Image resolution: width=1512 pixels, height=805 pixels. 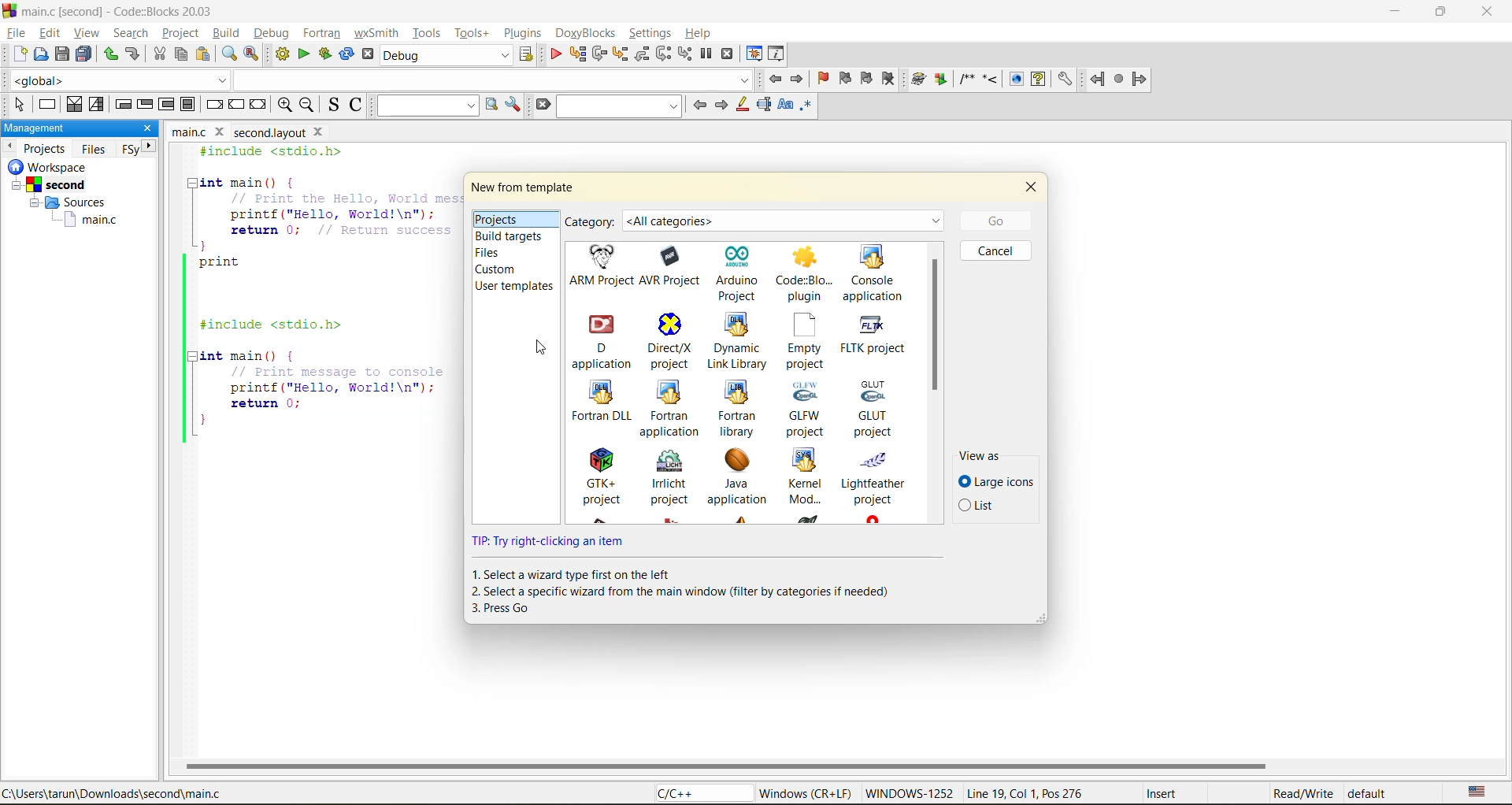 I want to click on previous, so click(x=699, y=106).